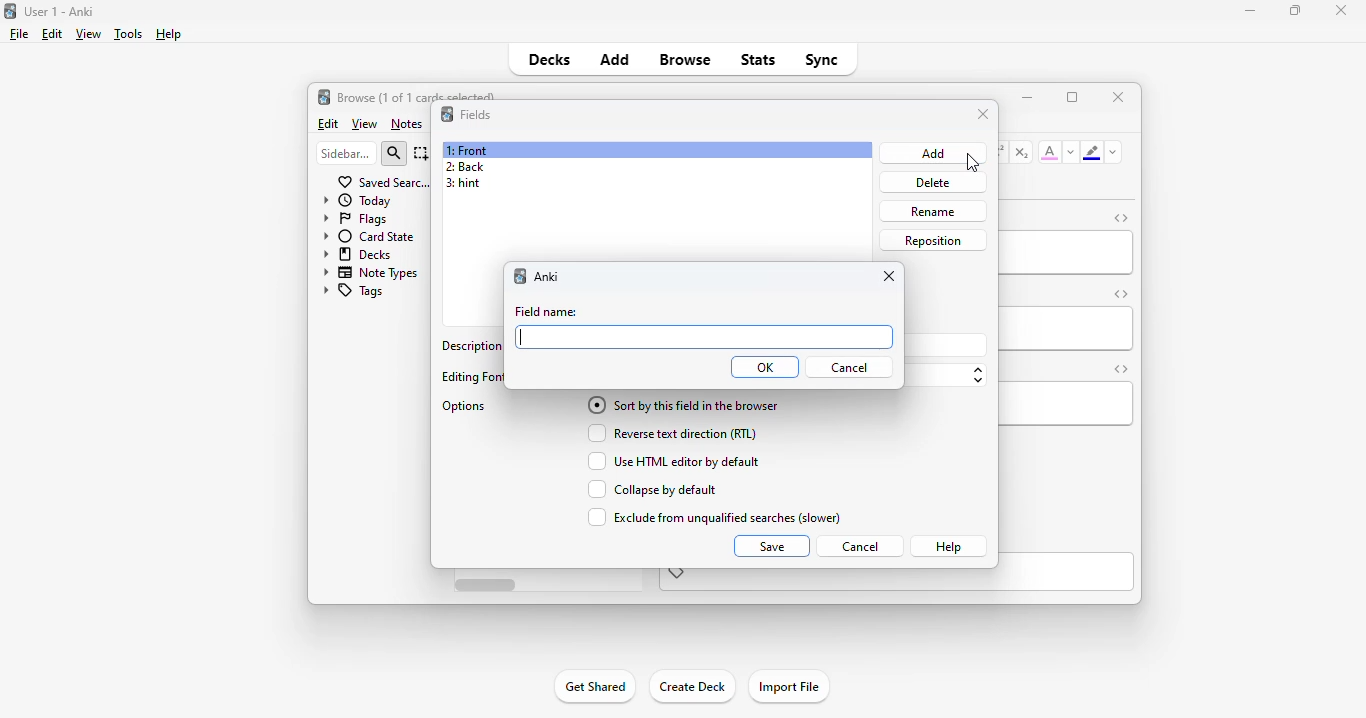 Image resolution: width=1366 pixels, height=718 pixels. What do you see at coordinates (849, 367) in the screenshot?
I see `cancel` at bounding box center [849, 367].